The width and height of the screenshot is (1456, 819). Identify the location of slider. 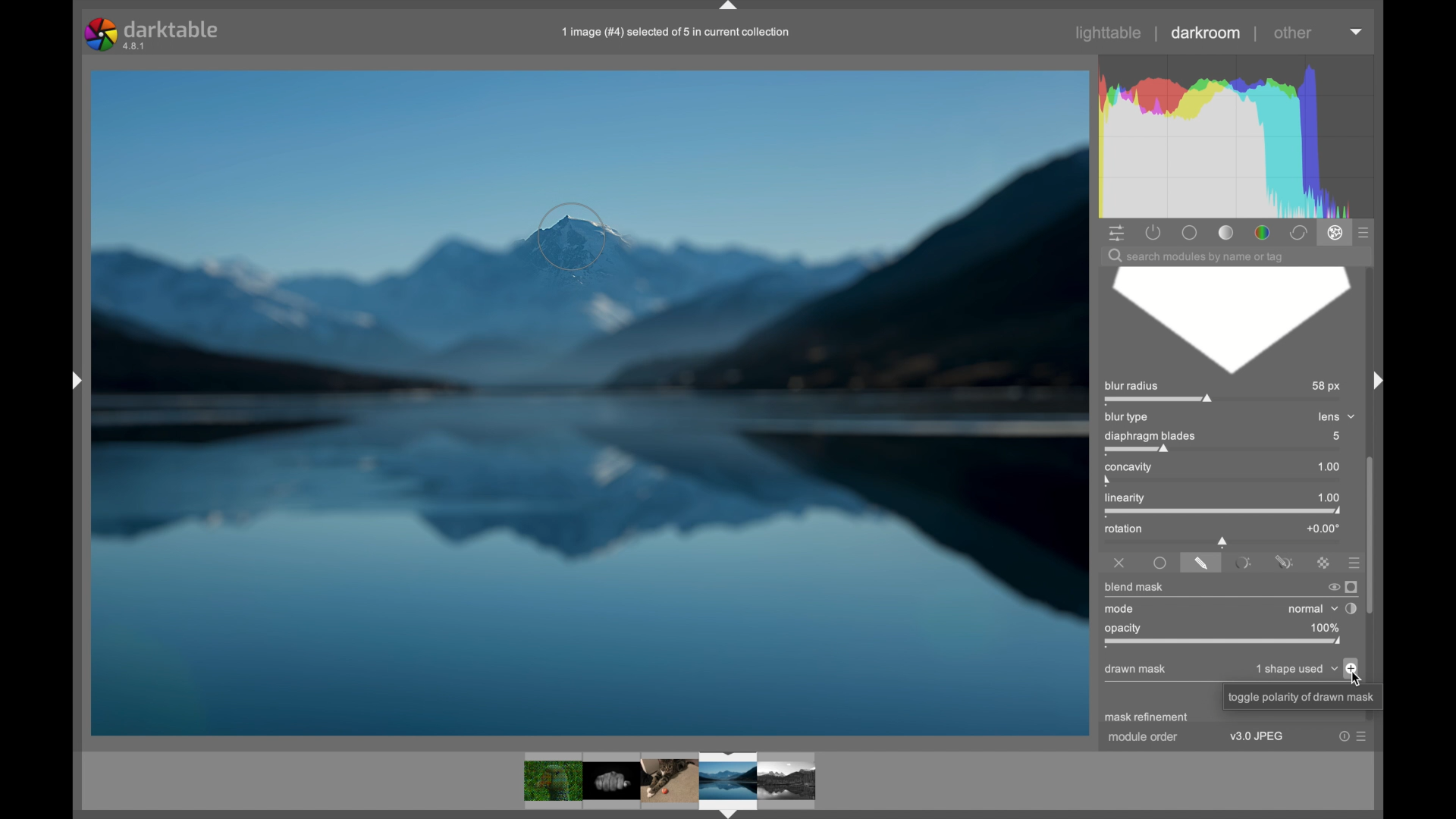
(1223, 541).